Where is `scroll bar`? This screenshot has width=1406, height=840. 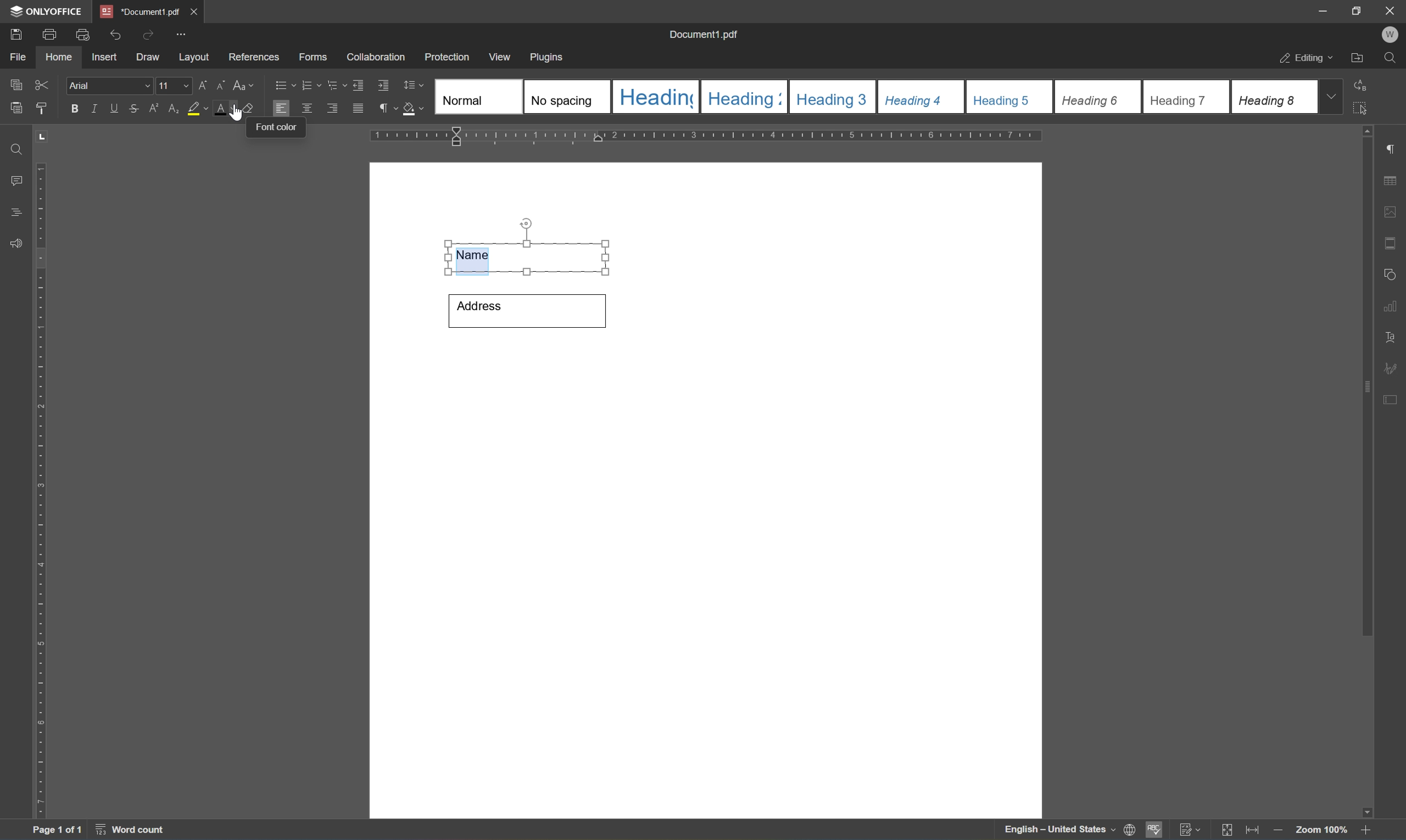 scroll bar is located at coordinates (1367, 388).